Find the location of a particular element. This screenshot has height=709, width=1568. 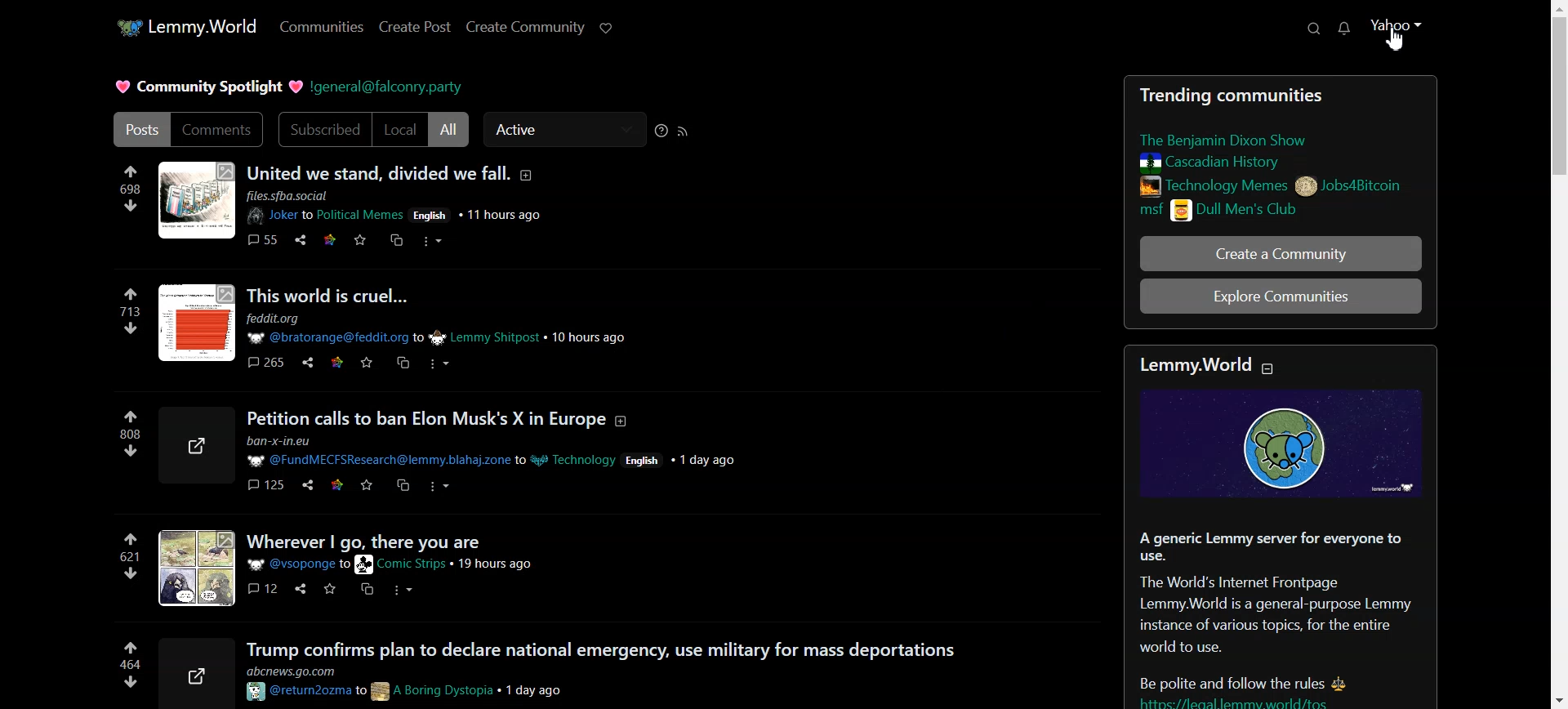

comments is located at coordinates (257, 239).